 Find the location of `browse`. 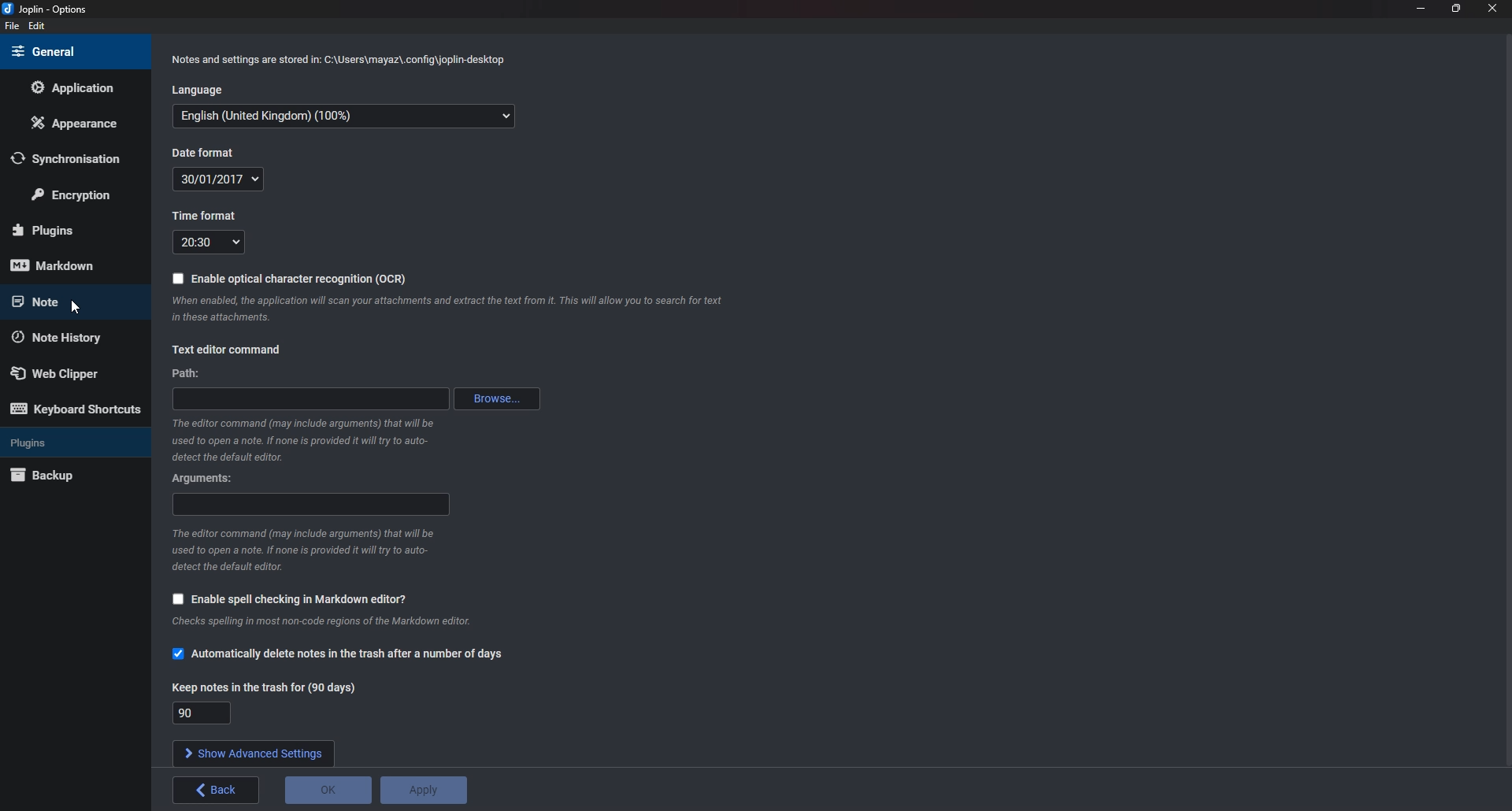

browse is located at coordinates (502, 400).